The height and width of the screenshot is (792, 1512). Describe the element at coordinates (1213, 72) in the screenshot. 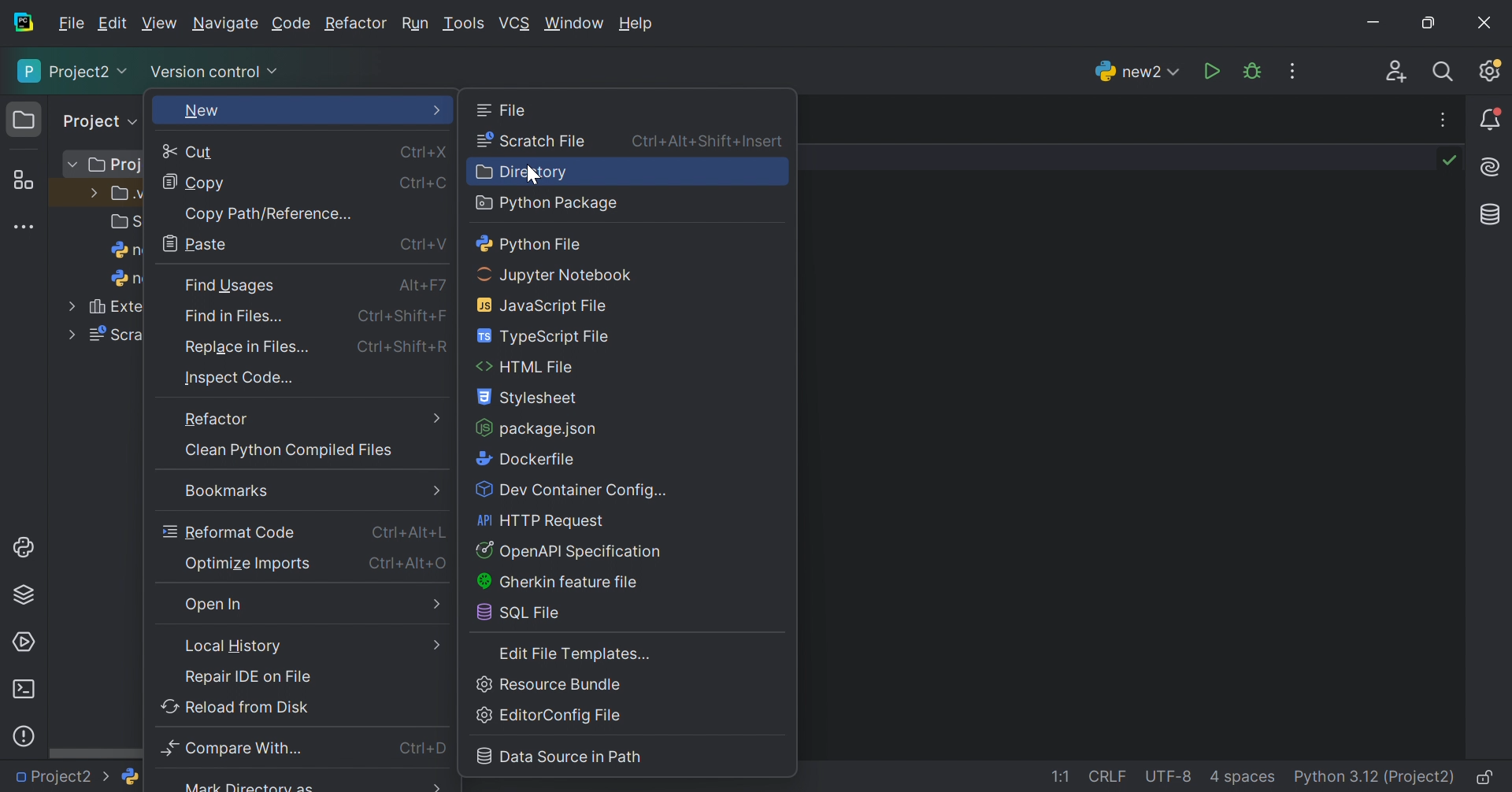

I see `Run` at that location.